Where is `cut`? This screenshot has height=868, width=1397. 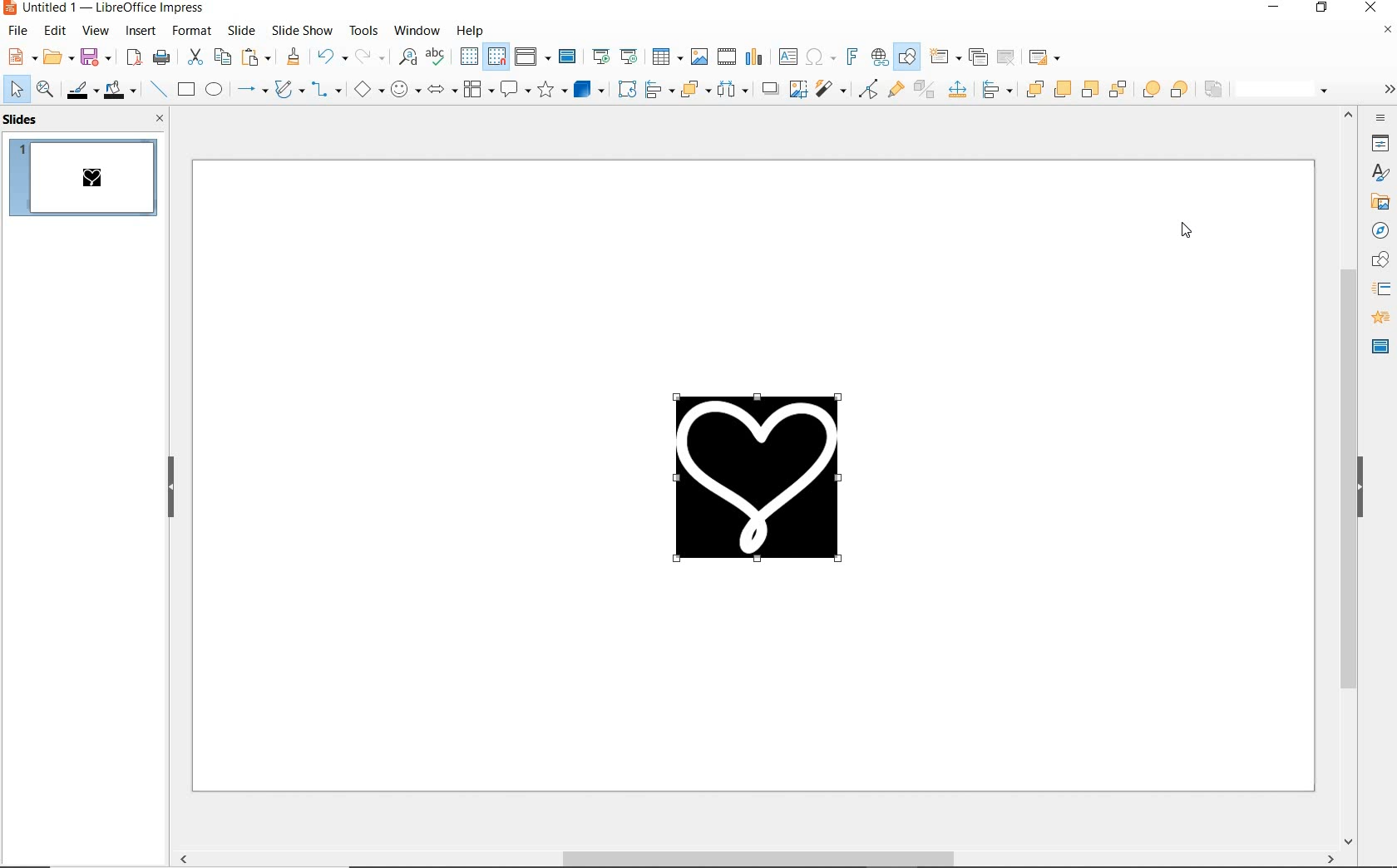 cut is located at coordinates (194, 56).